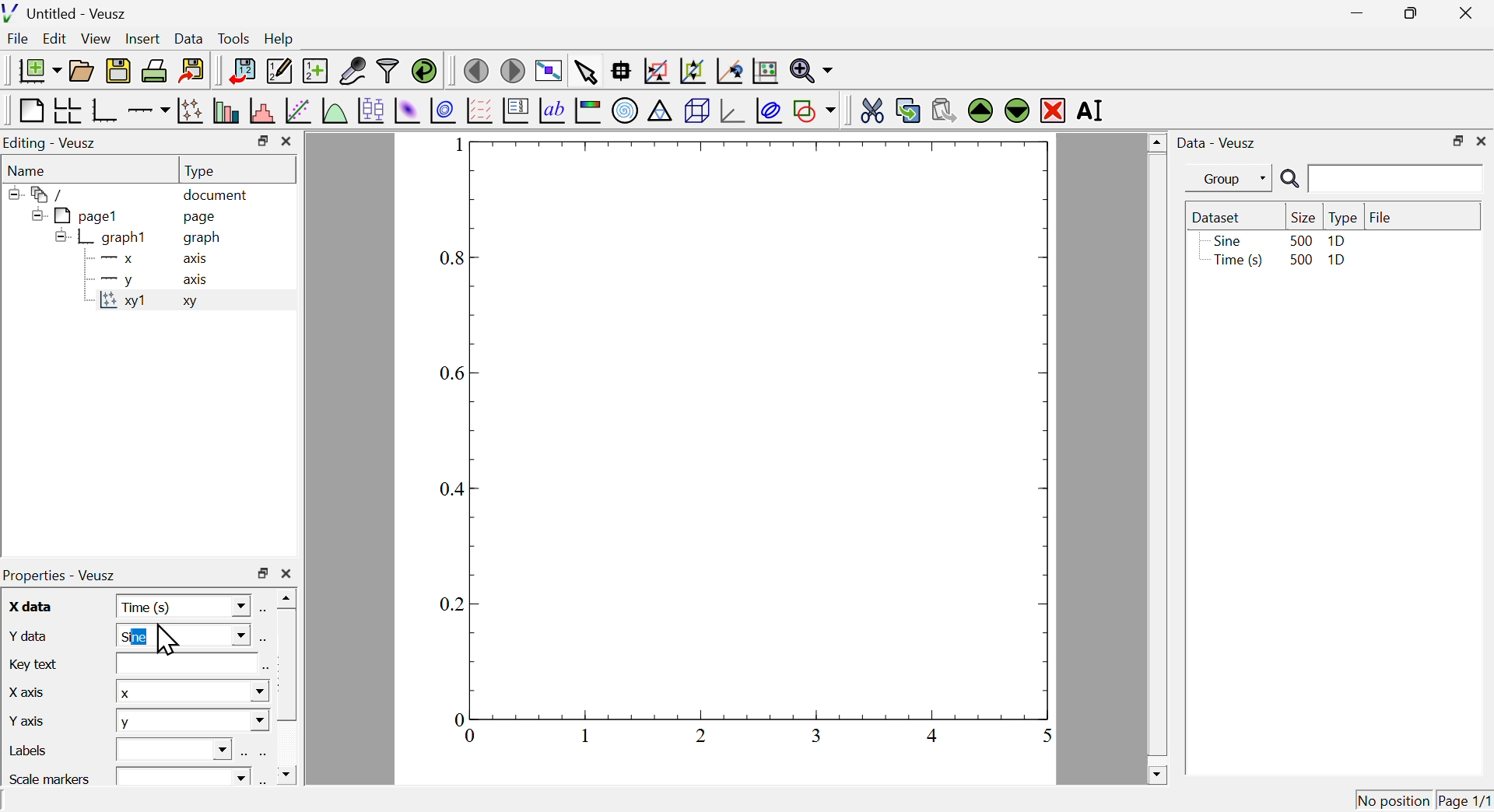  Describe the element at coordinates (1015, 110) in the screenshot. I see `move the selected widget down` at that location.